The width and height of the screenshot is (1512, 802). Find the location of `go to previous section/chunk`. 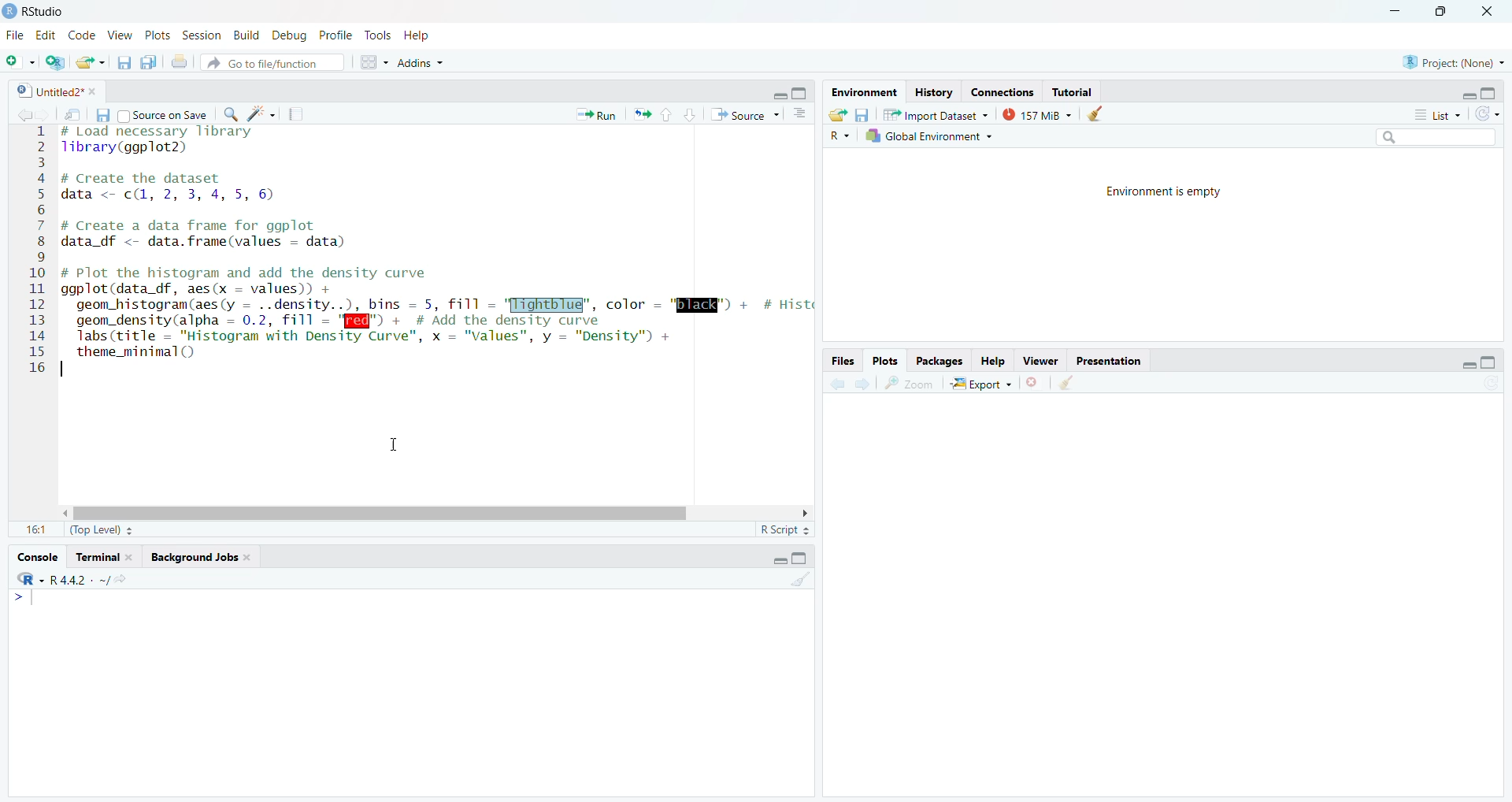

go to previous section/chunk is located at coordinates (665, 115).